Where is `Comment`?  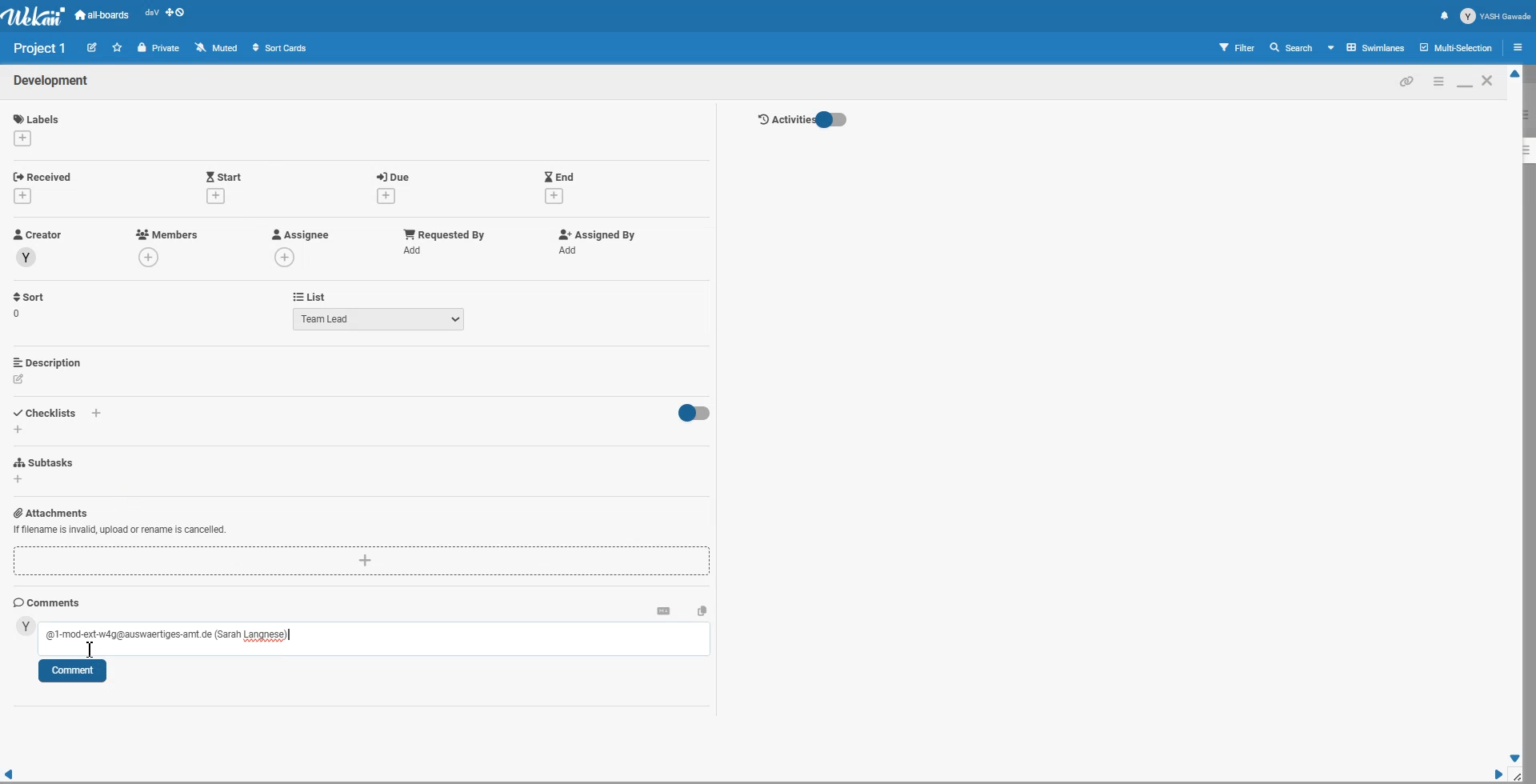
Comment is located at coordinates (72, 671).